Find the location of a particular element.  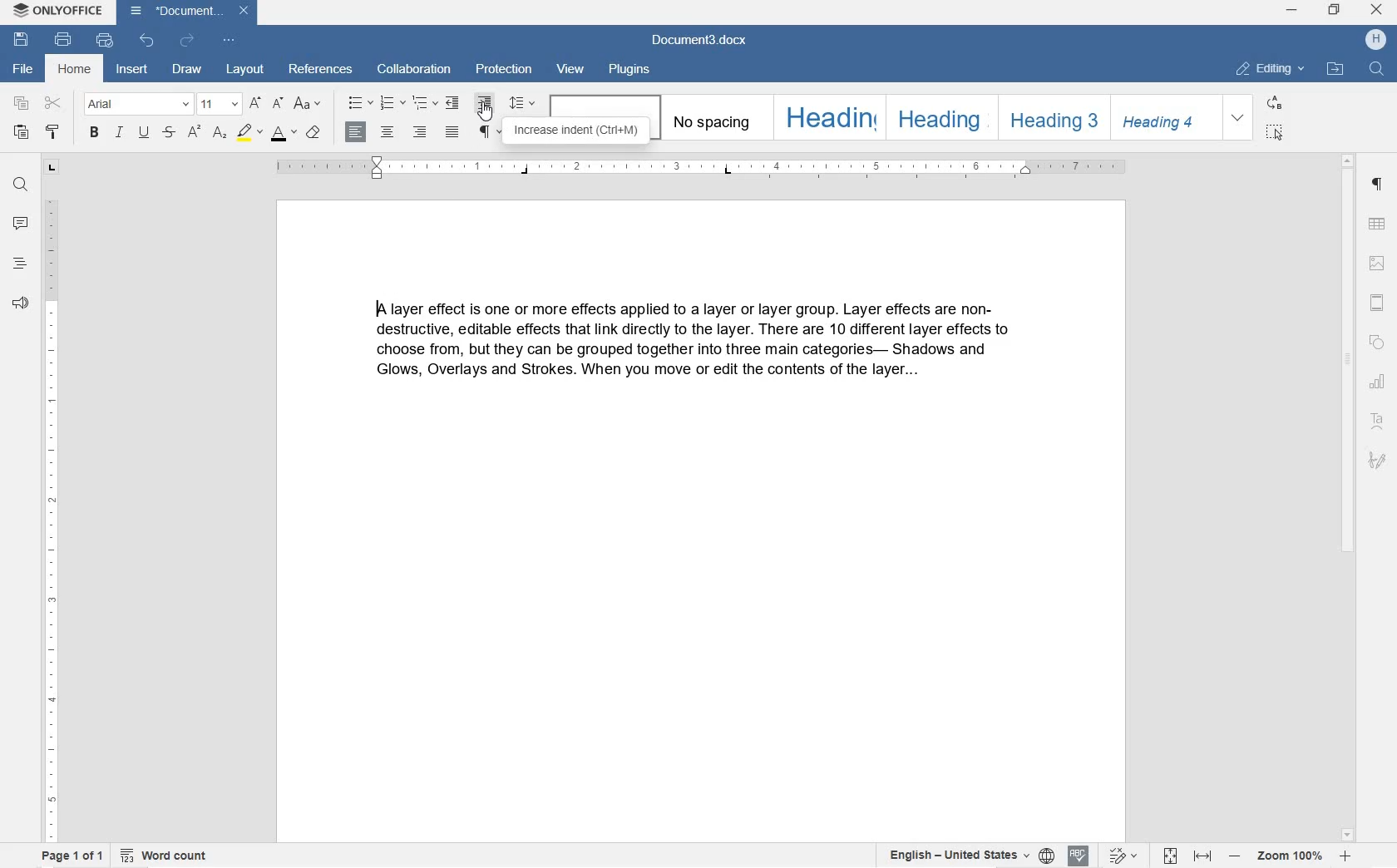

HEADING 3 is located at coordinates (1054, 118).